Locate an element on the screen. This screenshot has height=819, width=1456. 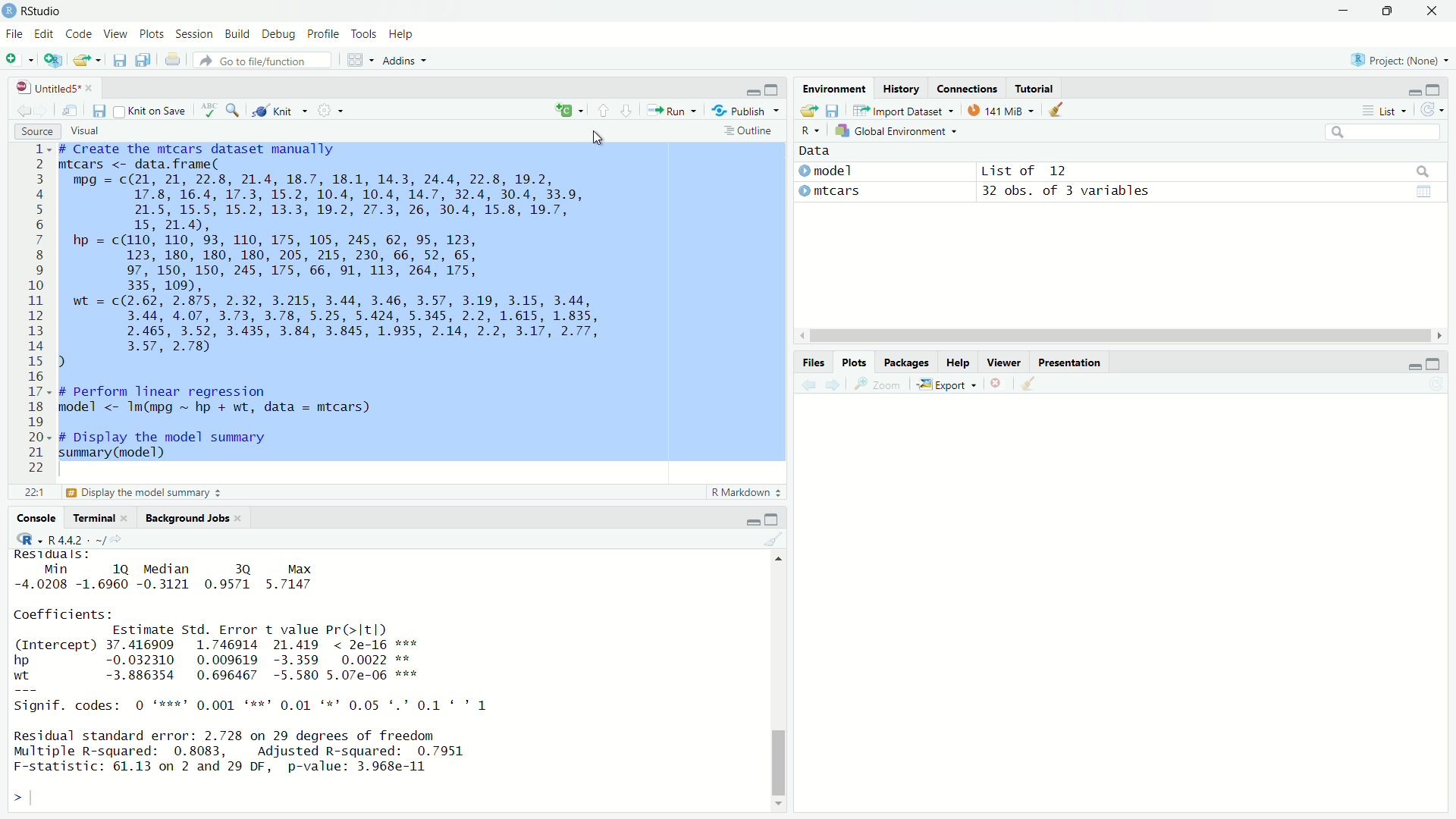
Plots is located at coordinates (855, 363).